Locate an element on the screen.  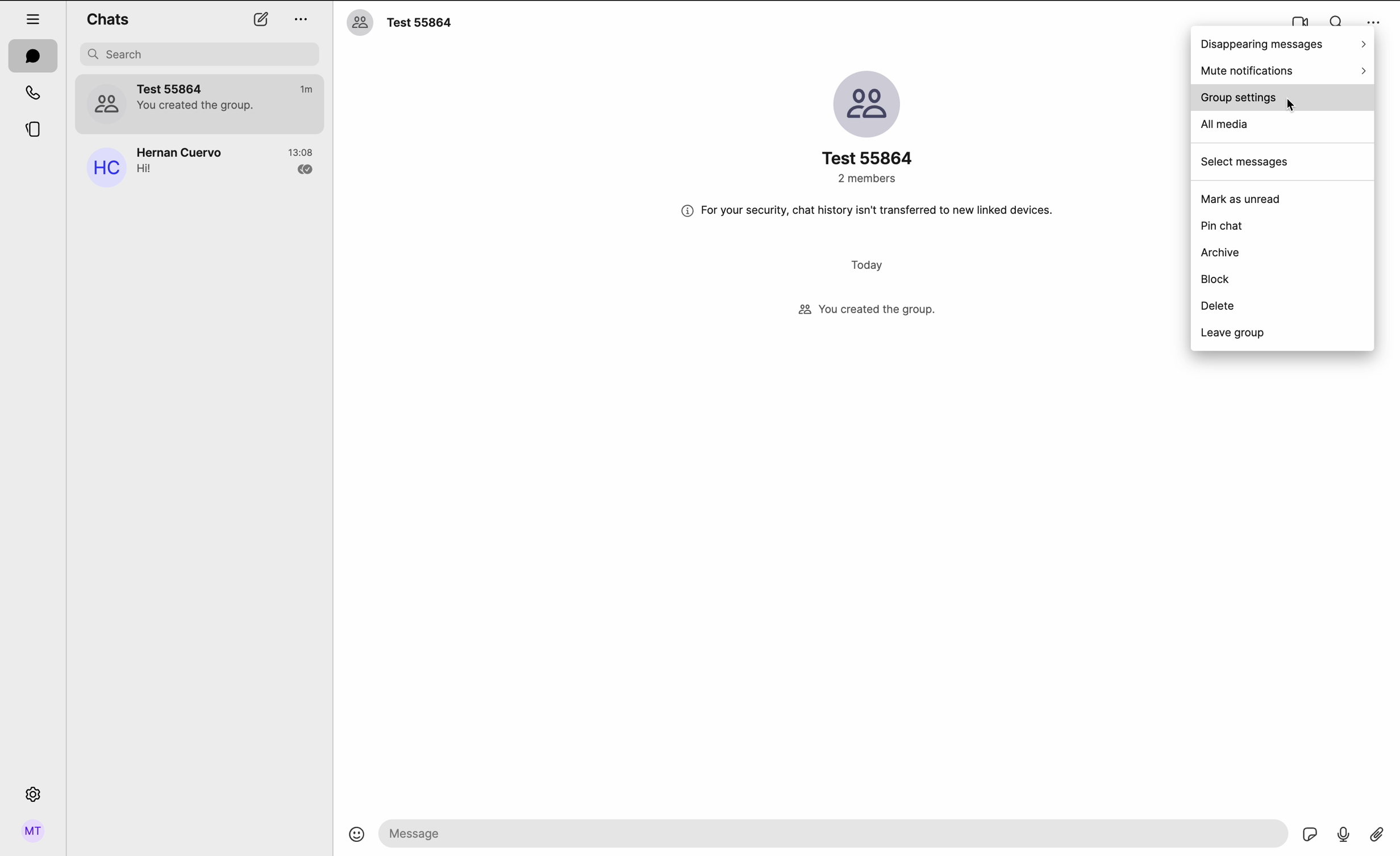
Hernan Cuervo chat is located at coordinates (198, 165).